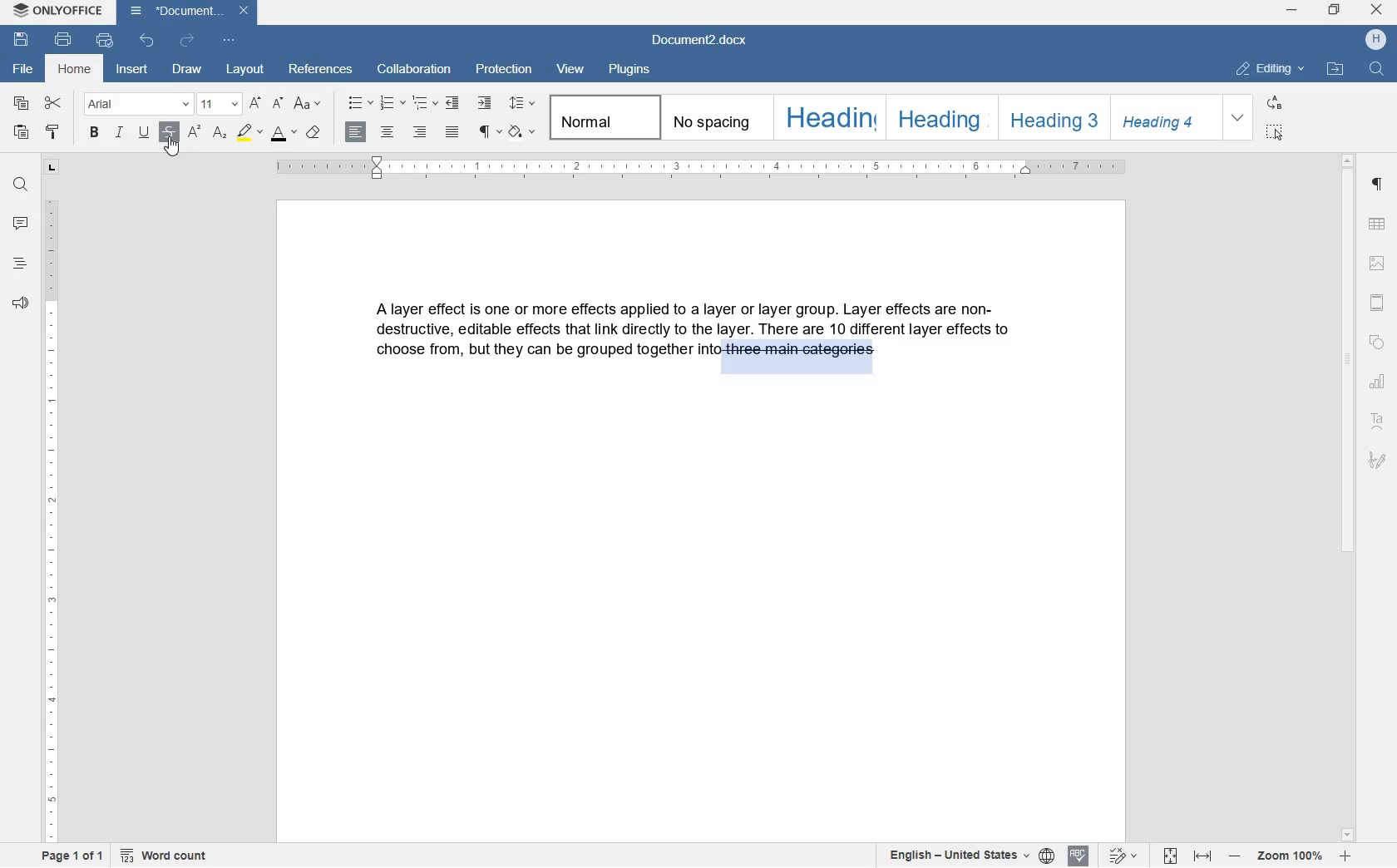  Describe the element at coordinates (1238, 118) in the screenshot. I see `expand formatting style` at that location.